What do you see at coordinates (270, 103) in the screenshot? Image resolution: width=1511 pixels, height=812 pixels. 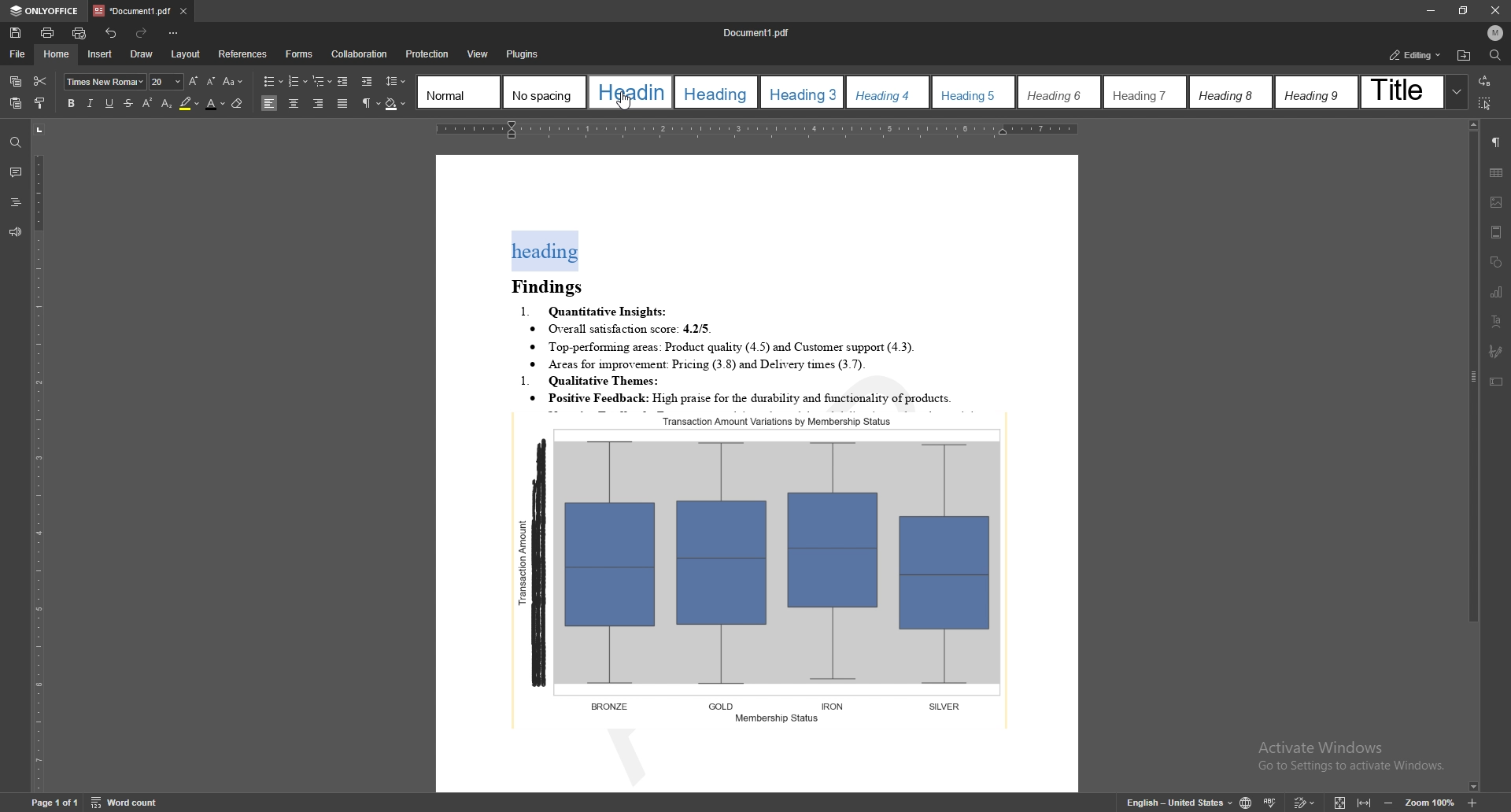 I see `align left` at bounding box center [270, 103].